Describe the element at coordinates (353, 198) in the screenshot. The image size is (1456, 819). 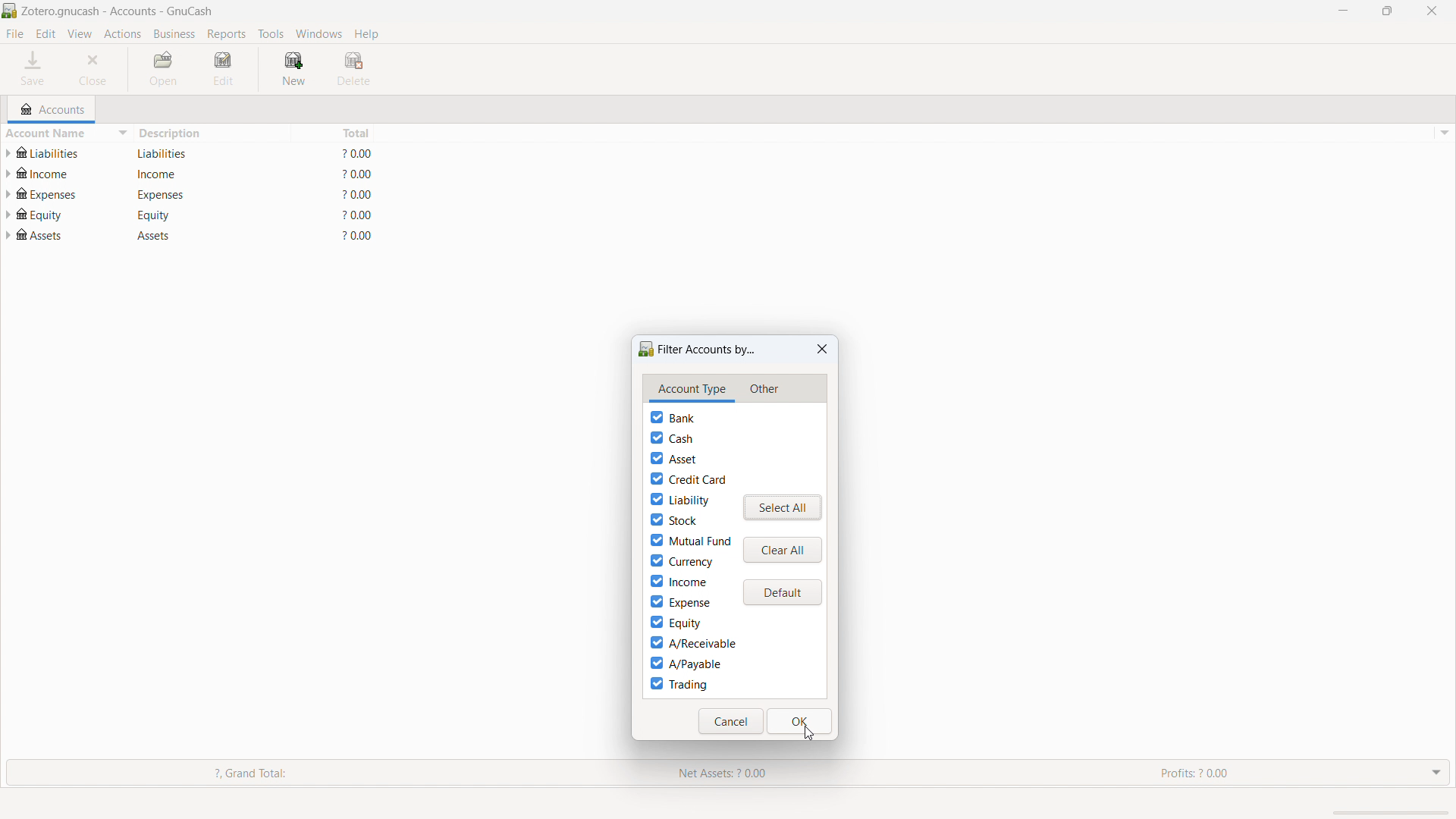
I see `total` at that location.